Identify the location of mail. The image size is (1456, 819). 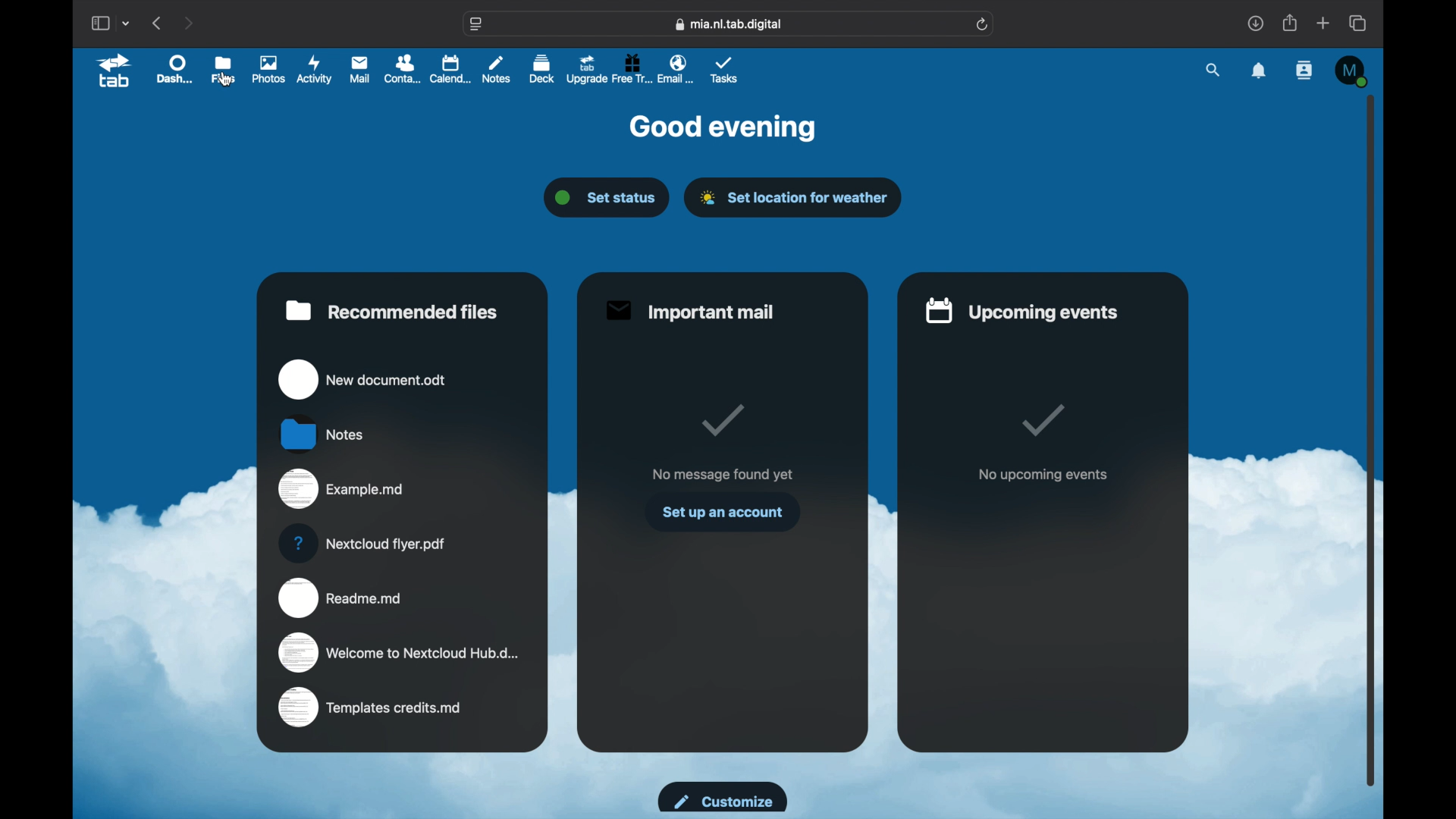
(360, 71).